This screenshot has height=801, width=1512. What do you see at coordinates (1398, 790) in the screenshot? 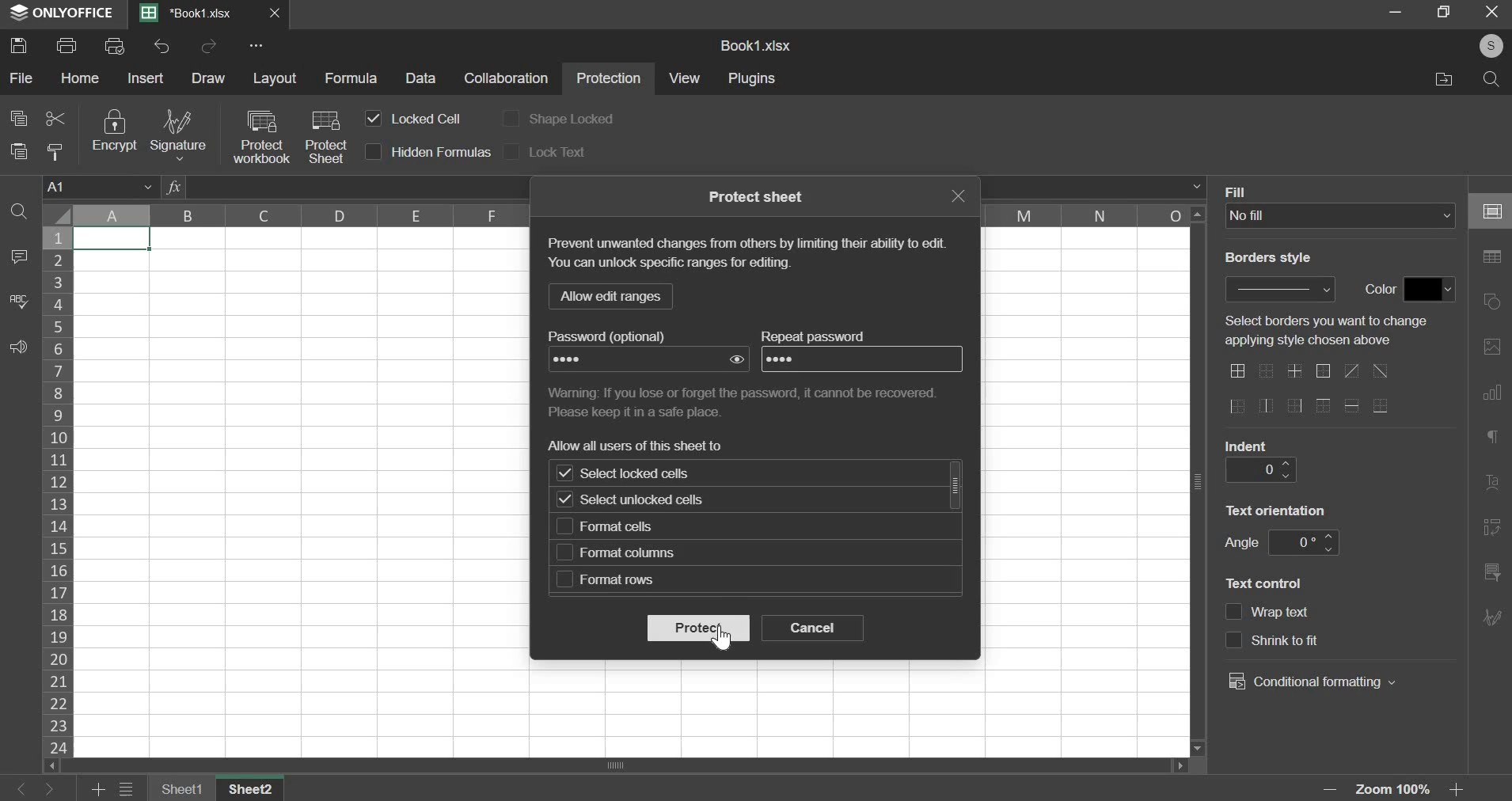
I see `Zoom 100%` at bounding box center [1398, 790].